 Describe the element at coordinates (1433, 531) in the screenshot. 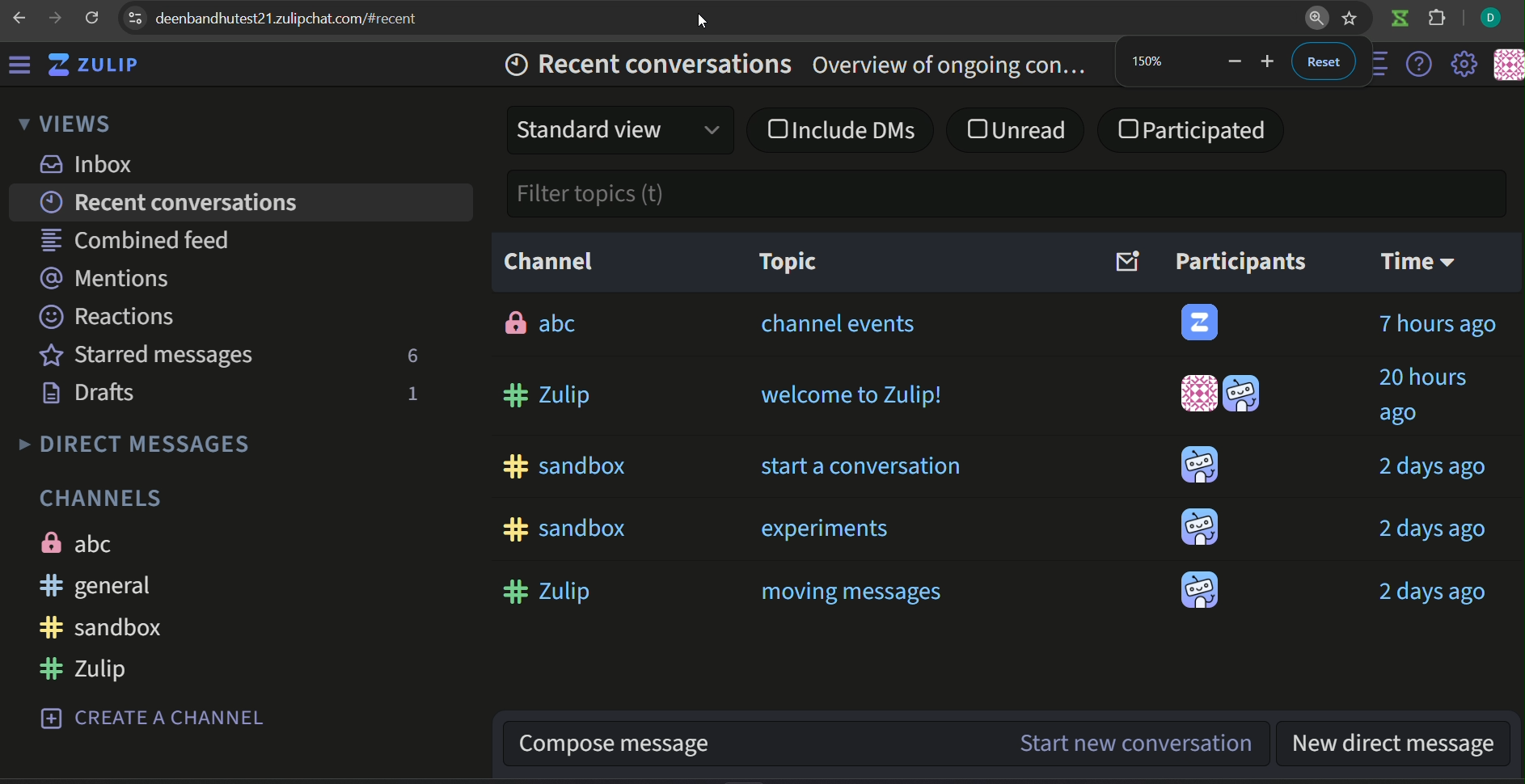

I see `2 days ago` at that location.